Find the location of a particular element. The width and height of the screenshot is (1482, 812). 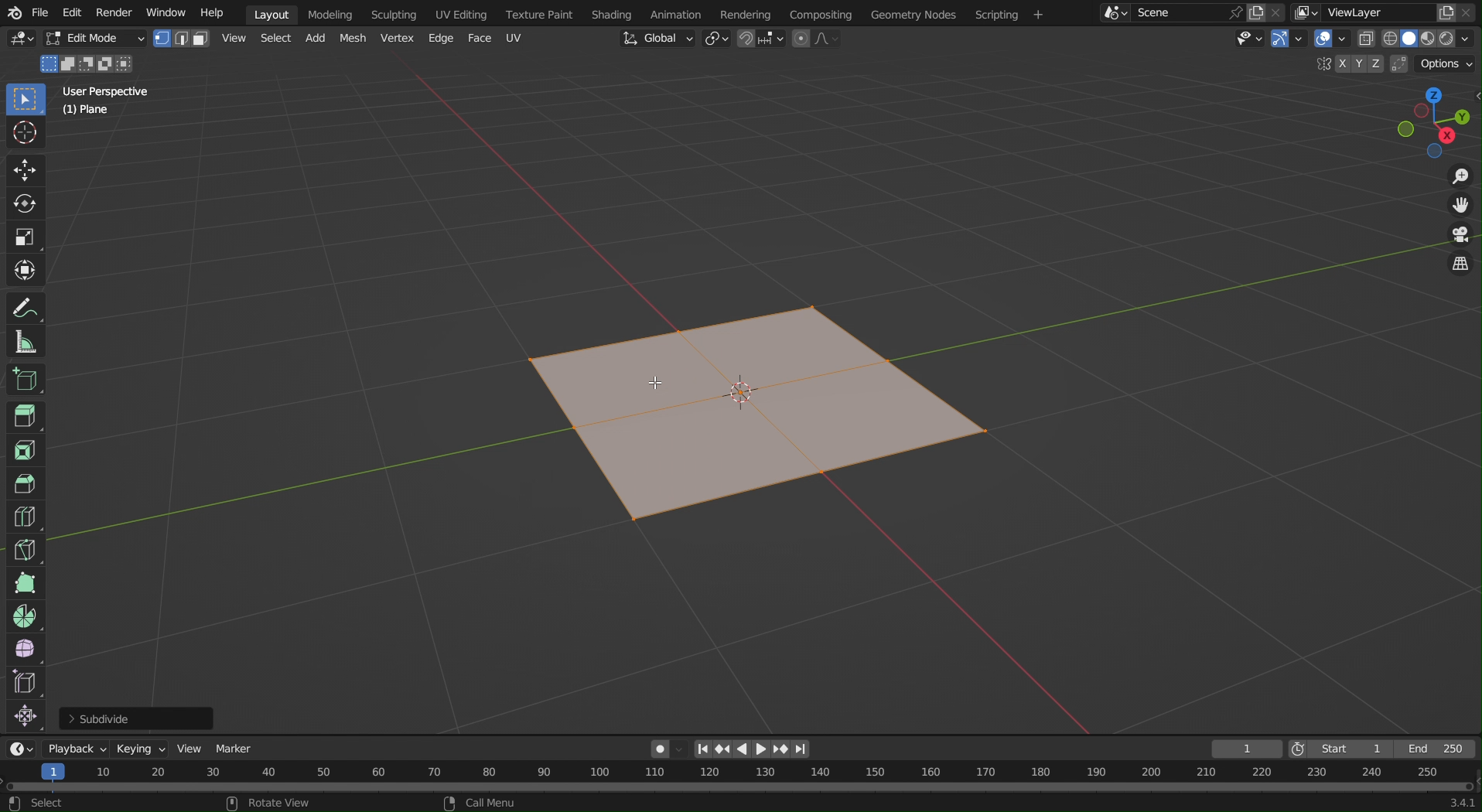

copy is located at coordinates (1447, 14).